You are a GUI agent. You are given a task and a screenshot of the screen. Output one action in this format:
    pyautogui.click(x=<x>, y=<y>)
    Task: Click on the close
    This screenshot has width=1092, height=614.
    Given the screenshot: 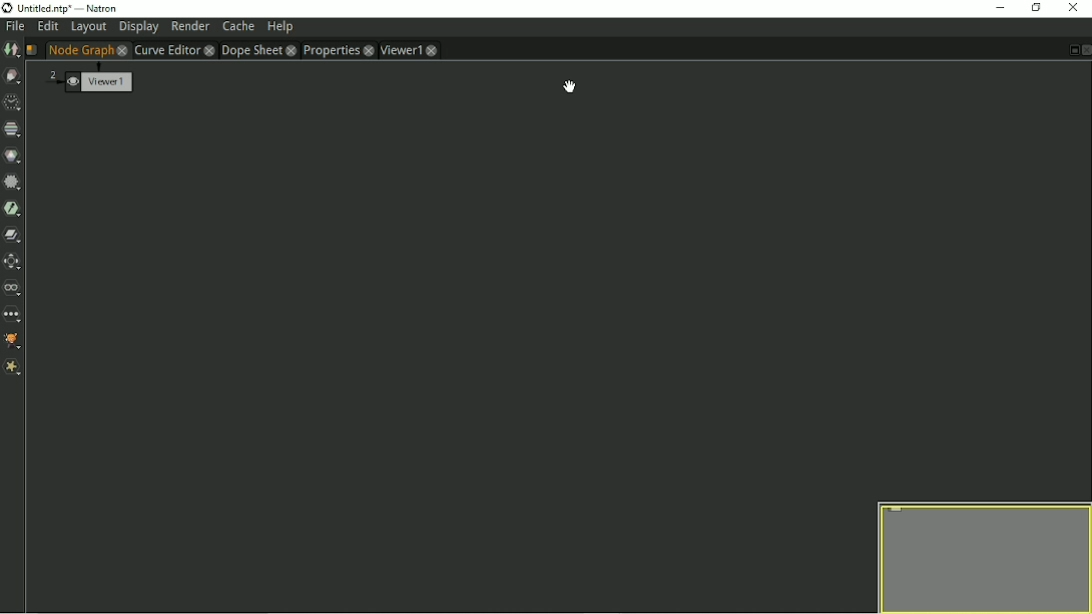 What is the action you would take?
    pyautogui.click(x=292, y=50)
    